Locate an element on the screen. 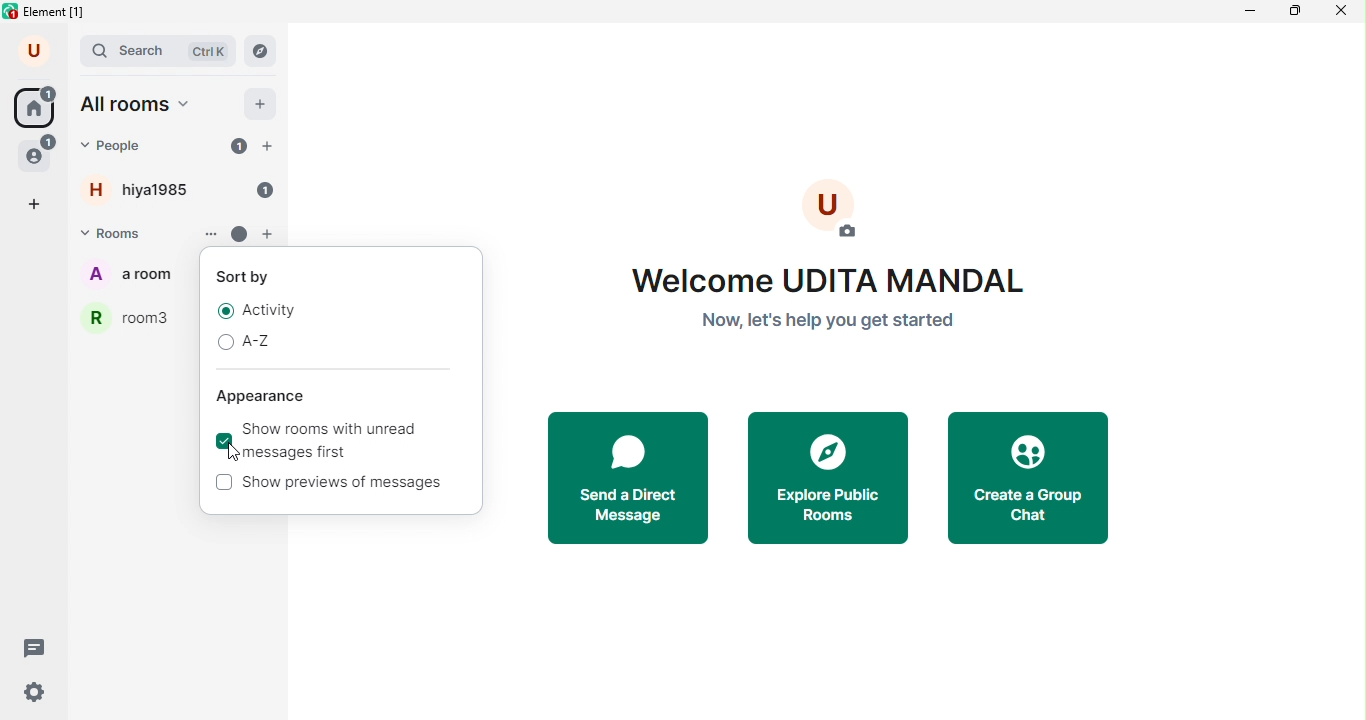 The image size is (1366, 720). people is located at coordinates (121, 147).